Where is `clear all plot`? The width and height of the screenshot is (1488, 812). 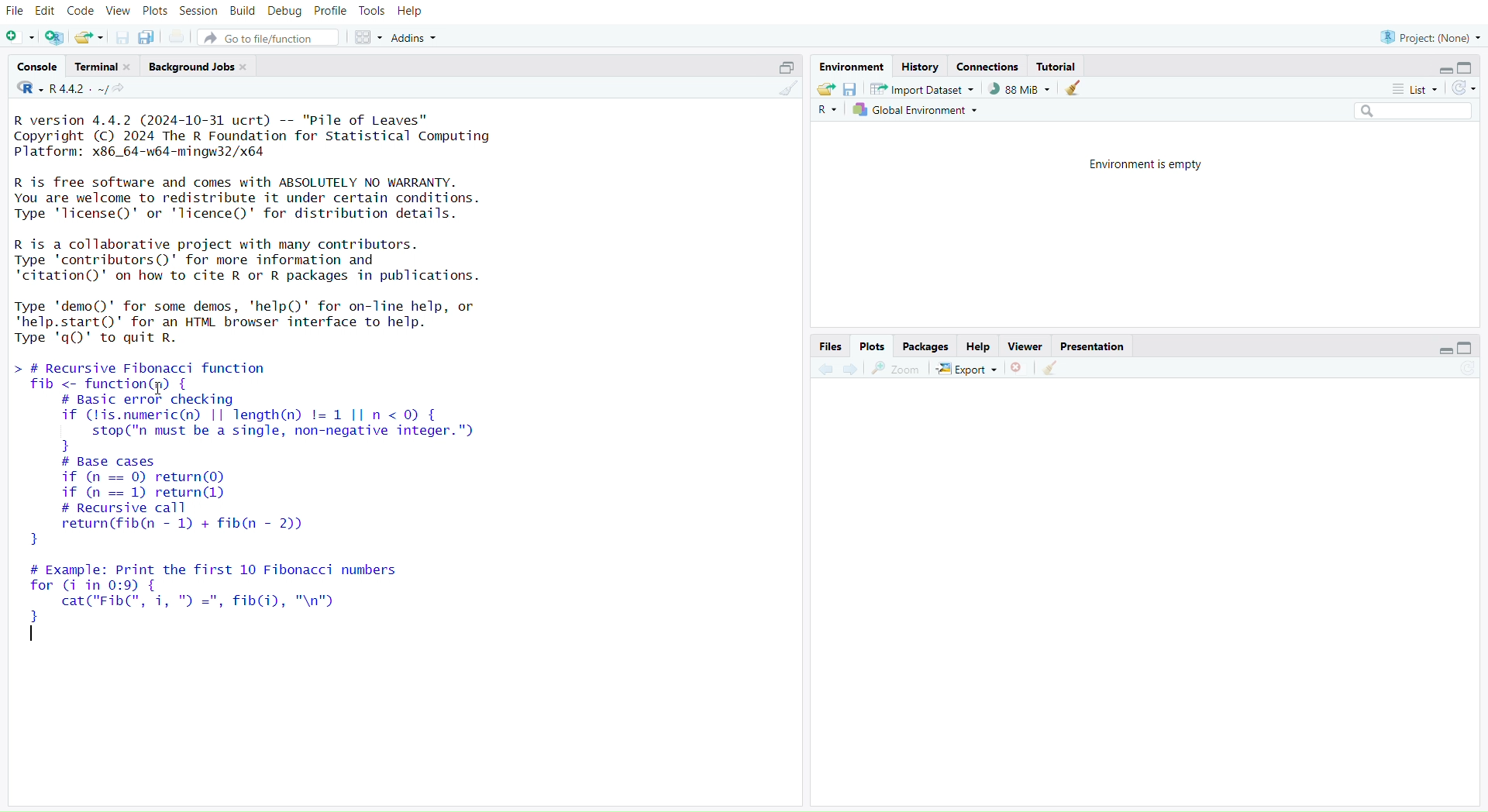
clear all plot is located at coordinates (1055, 369).